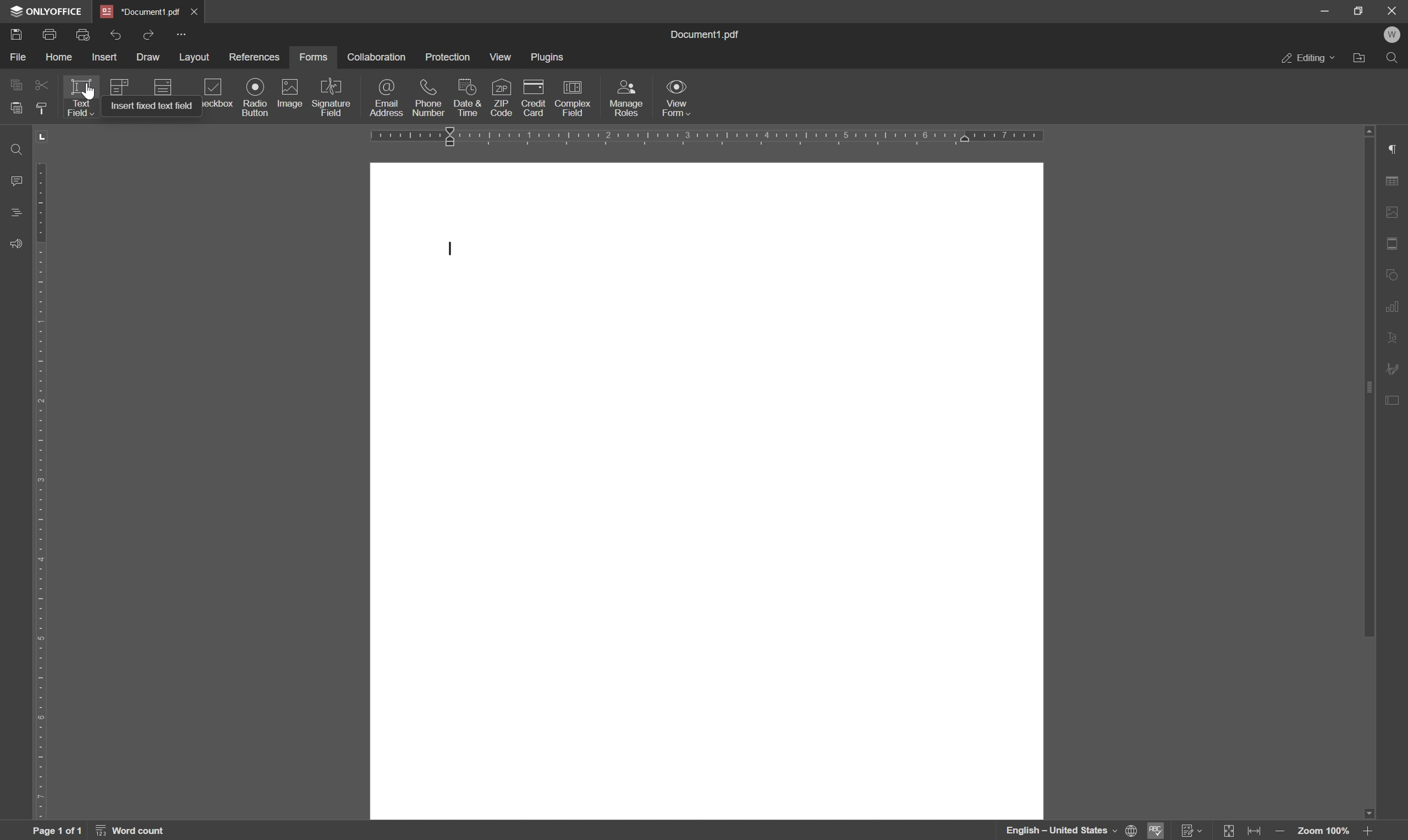  Describe the element at coordinates (1359, 58) in the screenshot. I see `open file location` at that location.